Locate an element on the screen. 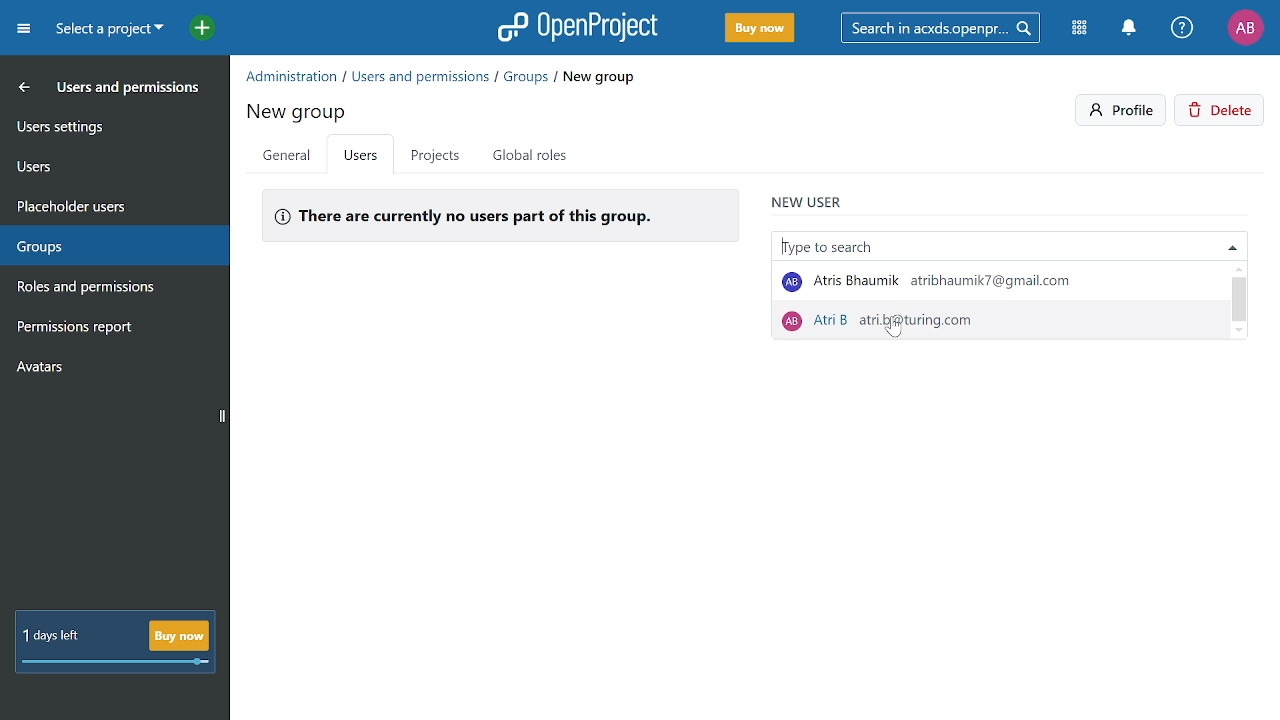 This screenshot has width=1280, height=720. User settings is located at coordinates (113, 125).